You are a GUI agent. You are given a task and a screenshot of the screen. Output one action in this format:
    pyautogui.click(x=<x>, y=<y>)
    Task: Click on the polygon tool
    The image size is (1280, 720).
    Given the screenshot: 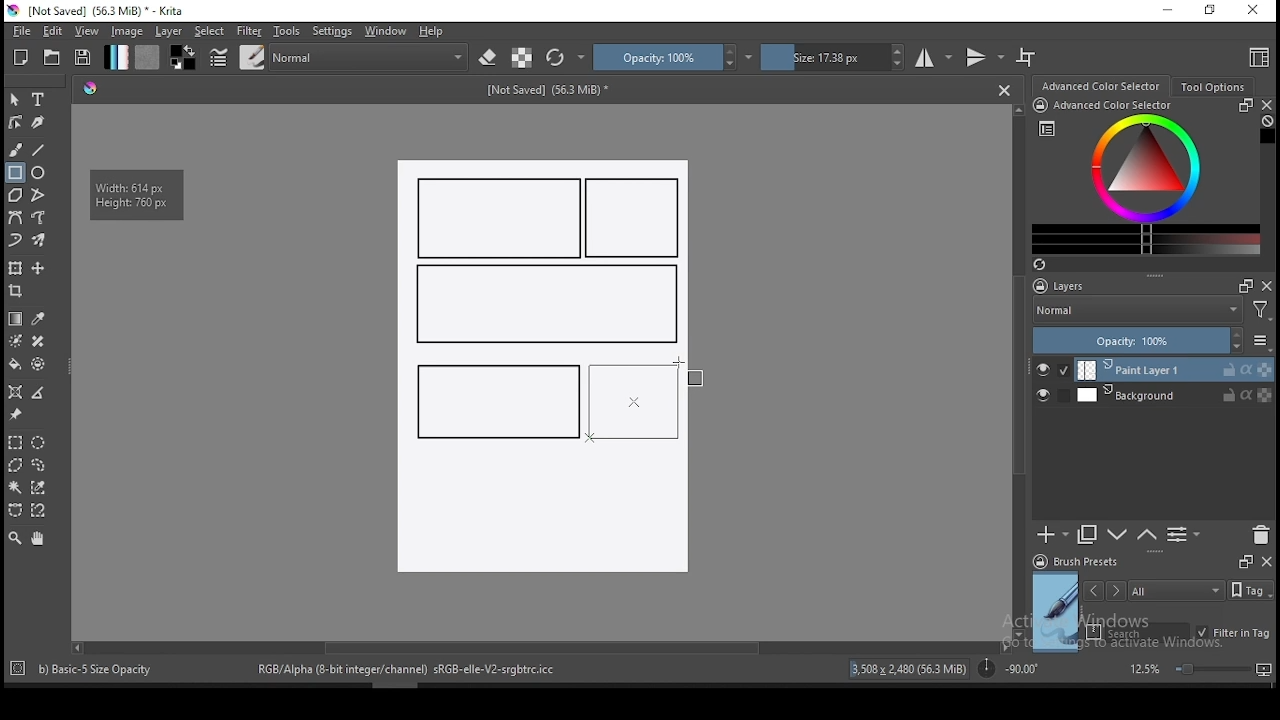 What is the action you would take?
    pyautogui.click(x=14, y=195)
    